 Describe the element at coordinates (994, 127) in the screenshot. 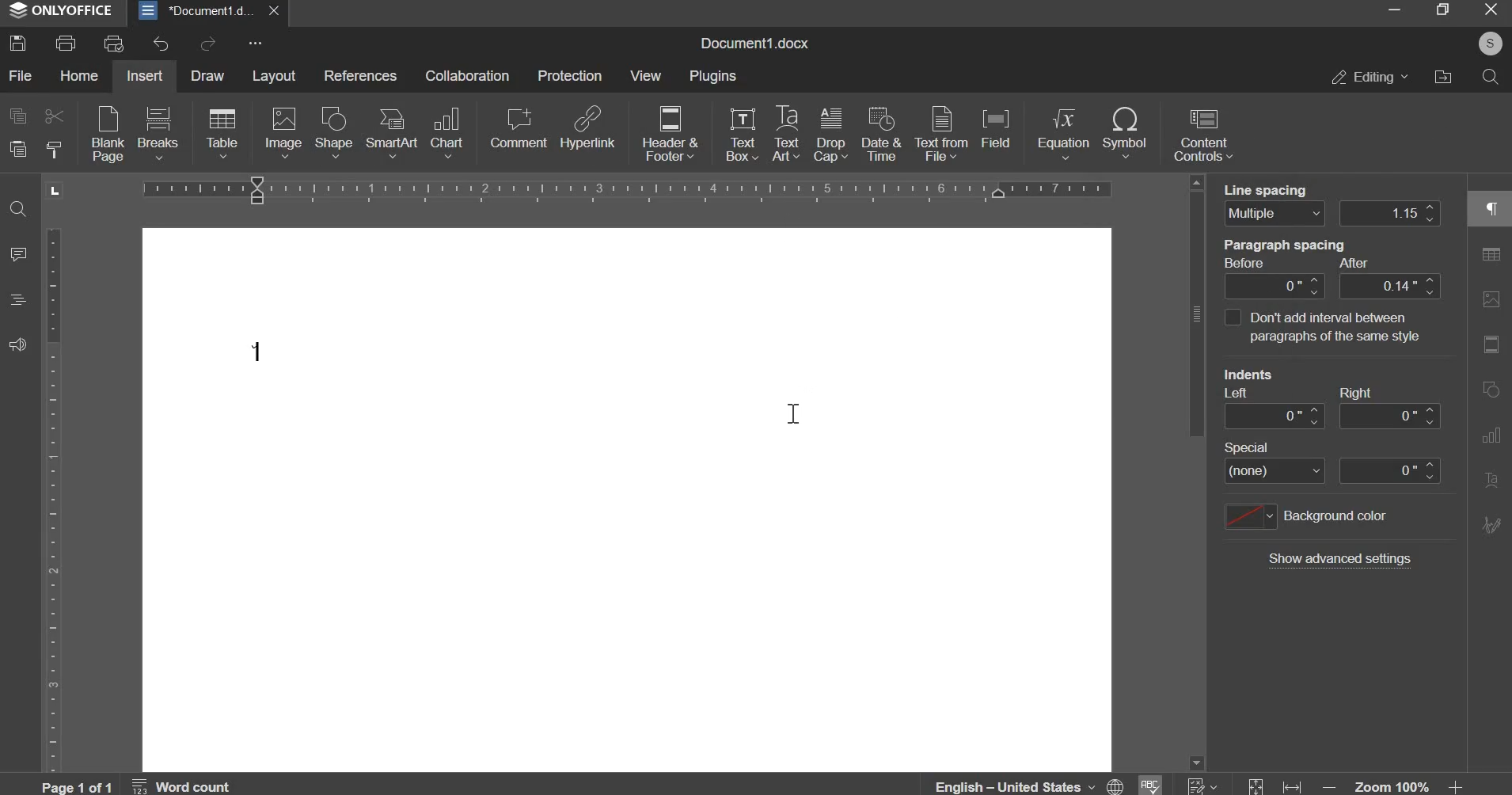

I see `field` at that location.